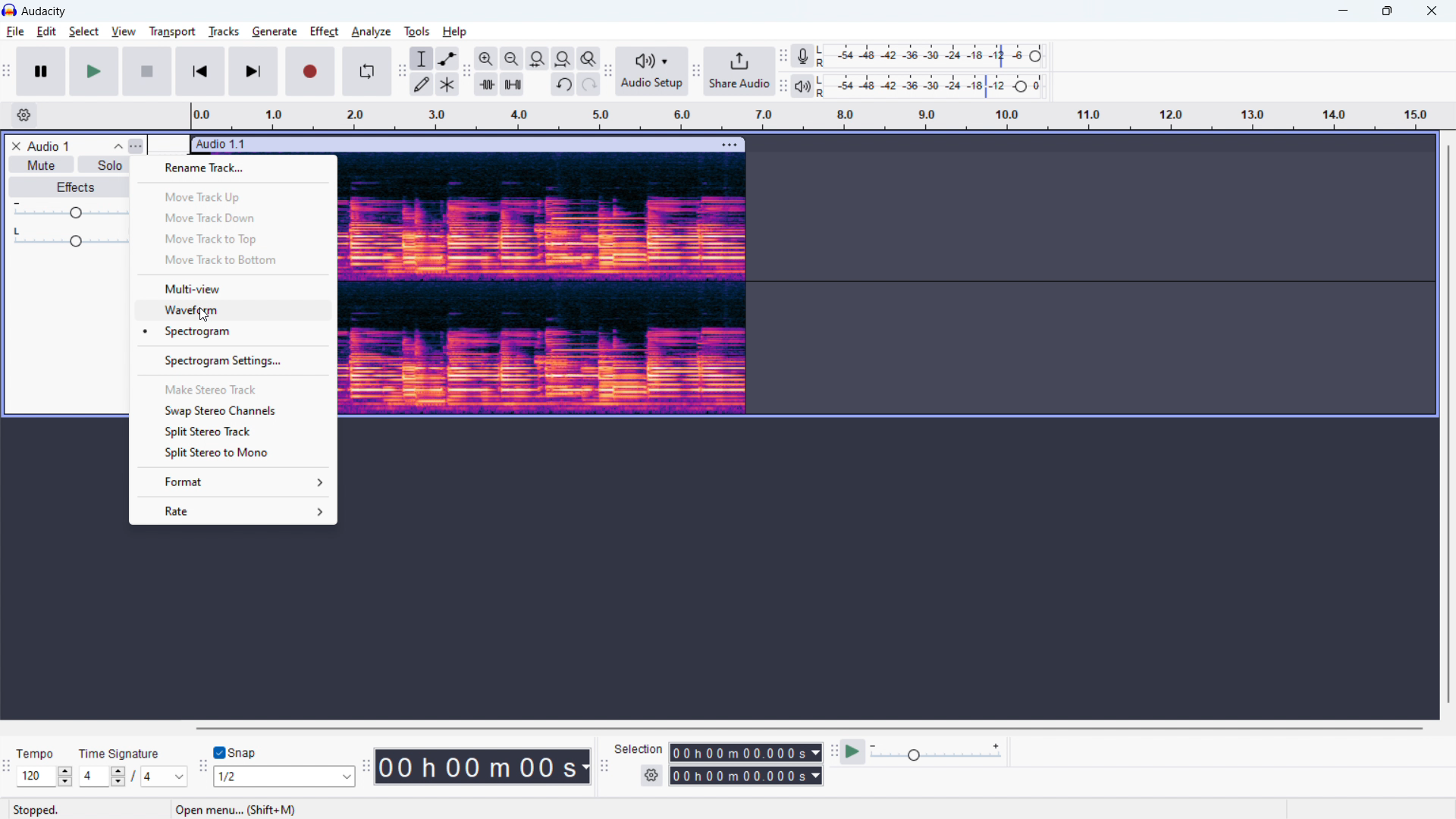 Image resolution: width=1456 pixels, height=819 pixels. I want to click on audio setup, so click(651, 71).